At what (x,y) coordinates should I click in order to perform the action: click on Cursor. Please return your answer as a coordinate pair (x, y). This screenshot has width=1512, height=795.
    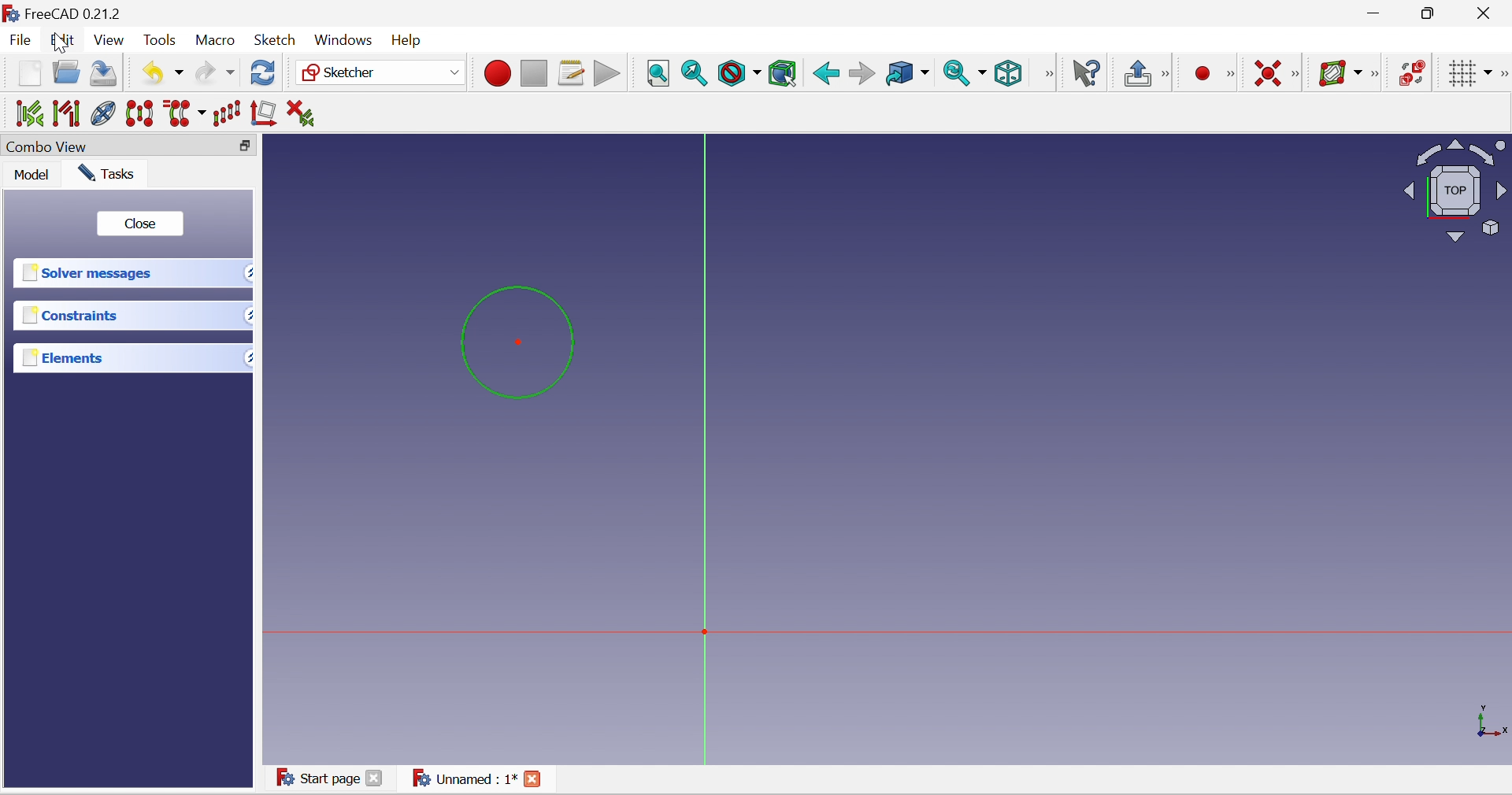
    Looking at the image, I should click on (57, 43).